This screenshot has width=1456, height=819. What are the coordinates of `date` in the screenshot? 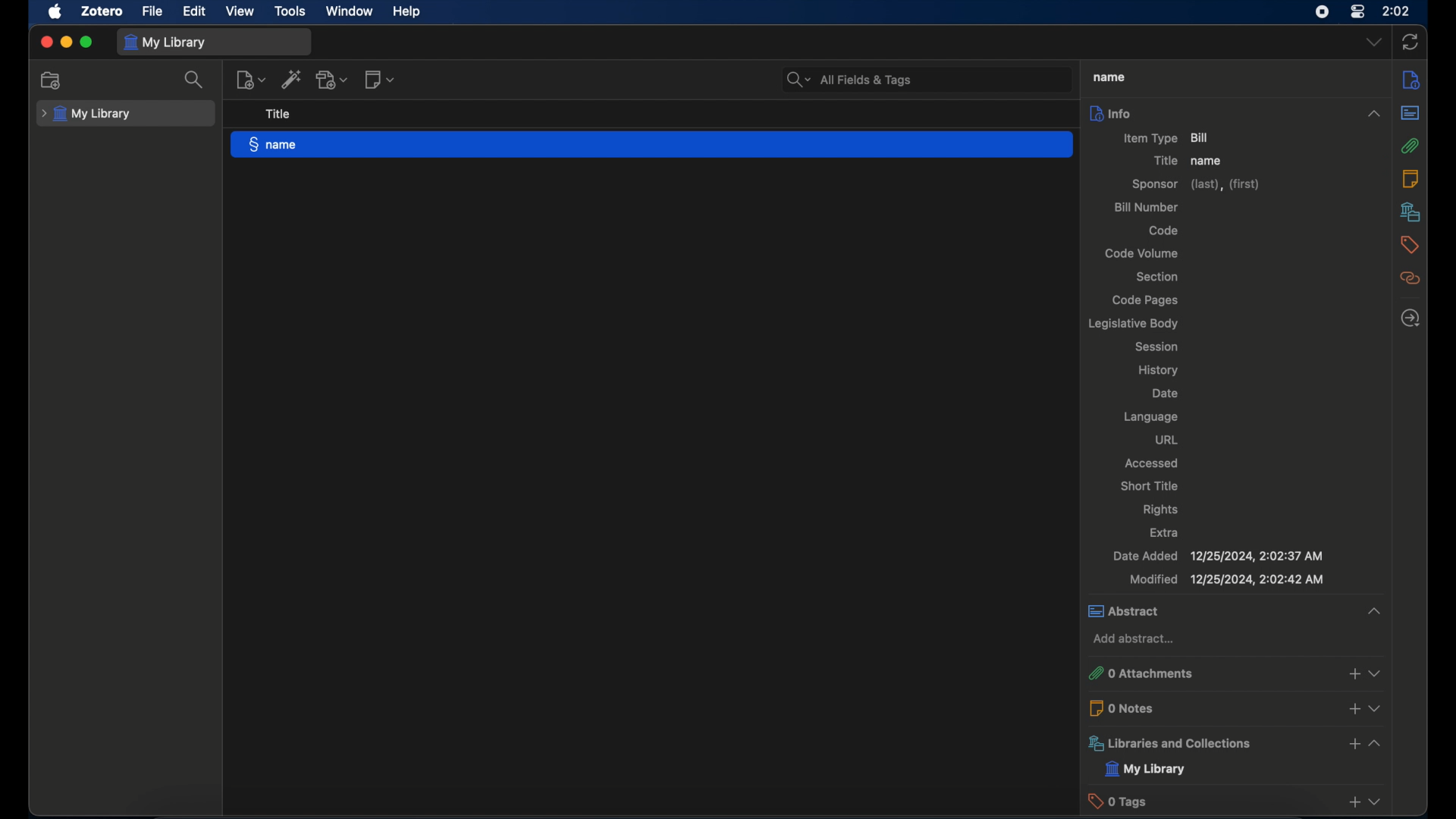 It's located at (1166, 394).